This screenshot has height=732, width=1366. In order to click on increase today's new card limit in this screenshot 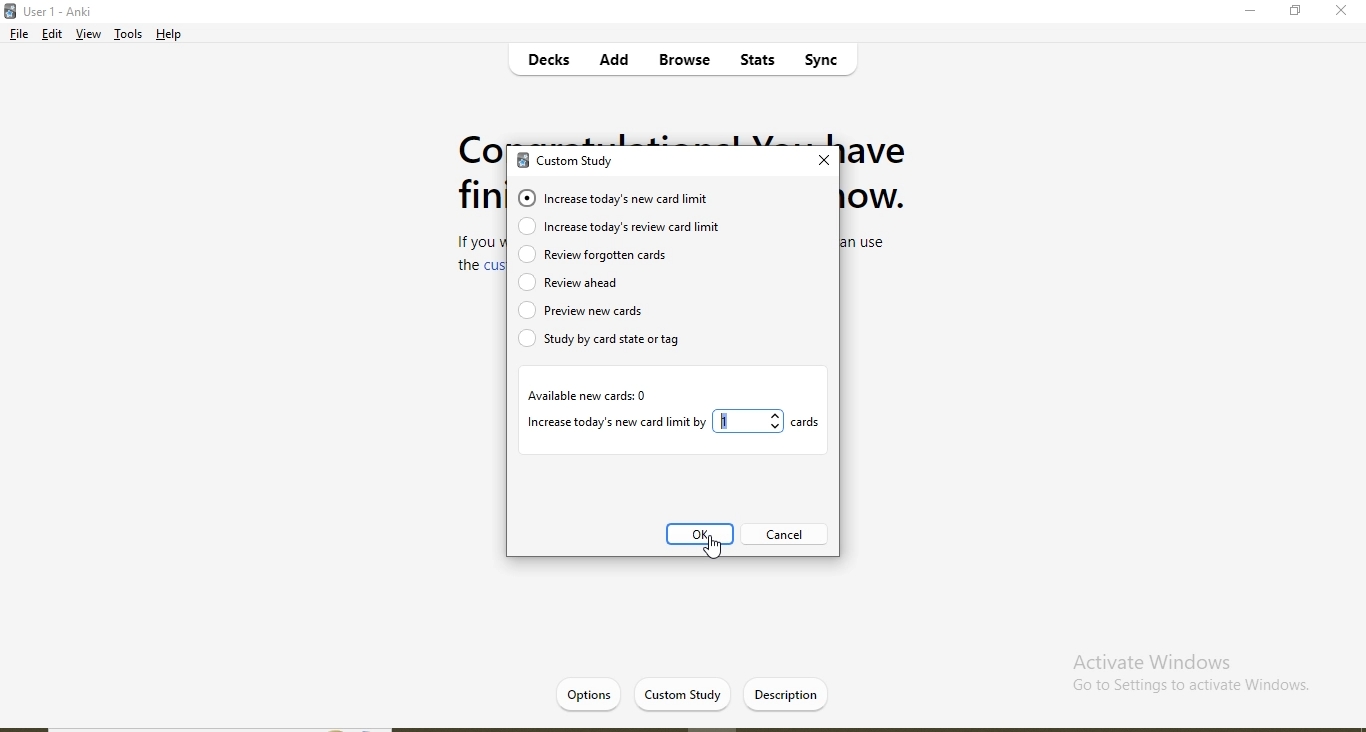, I will do `click(622, 199)`.